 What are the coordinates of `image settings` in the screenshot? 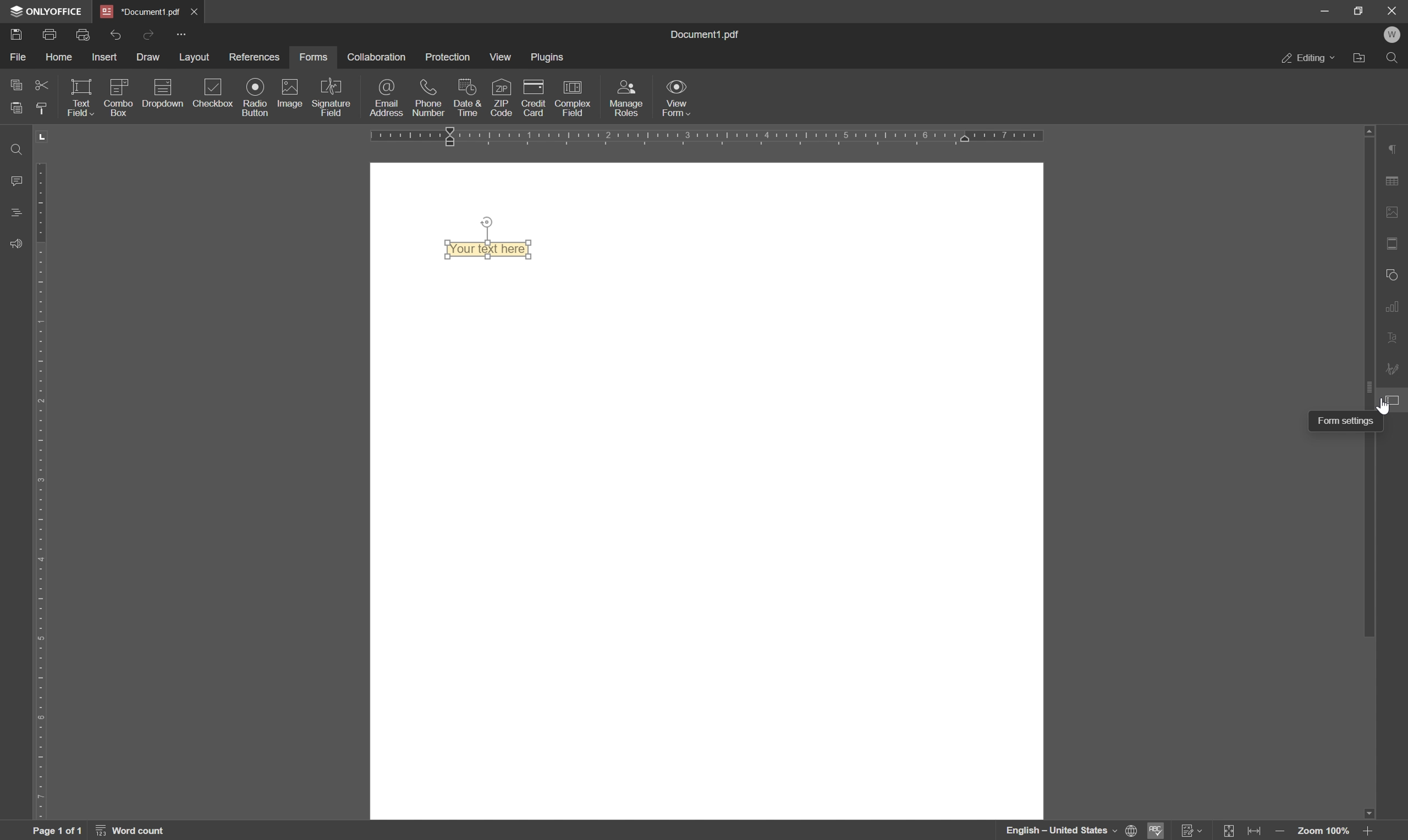 It's located at (1395, 212).